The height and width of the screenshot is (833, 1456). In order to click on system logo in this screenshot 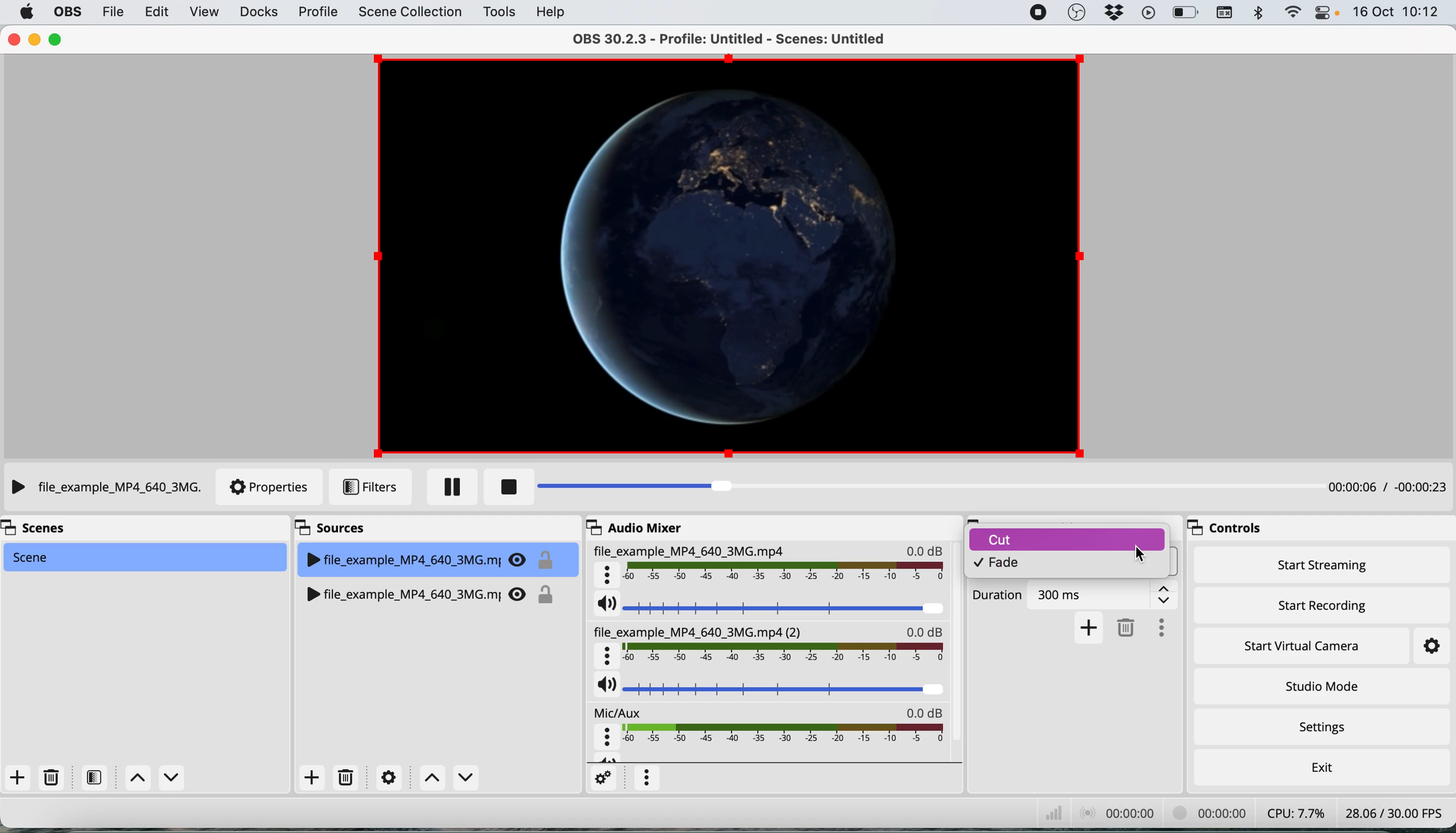, I will do `click(29, 12)`.